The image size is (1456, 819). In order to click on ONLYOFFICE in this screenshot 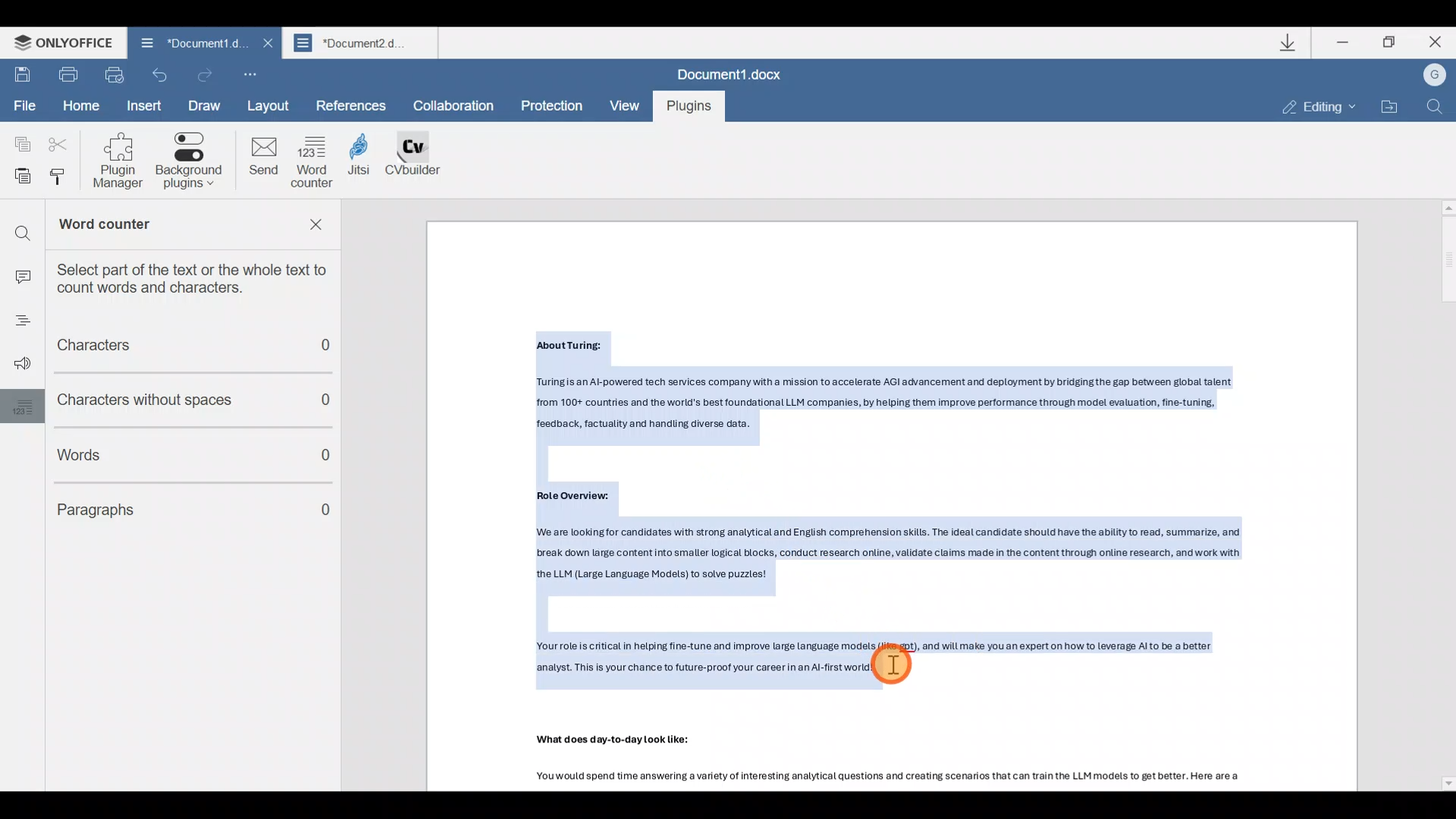, I will do `click(58, 42)`.